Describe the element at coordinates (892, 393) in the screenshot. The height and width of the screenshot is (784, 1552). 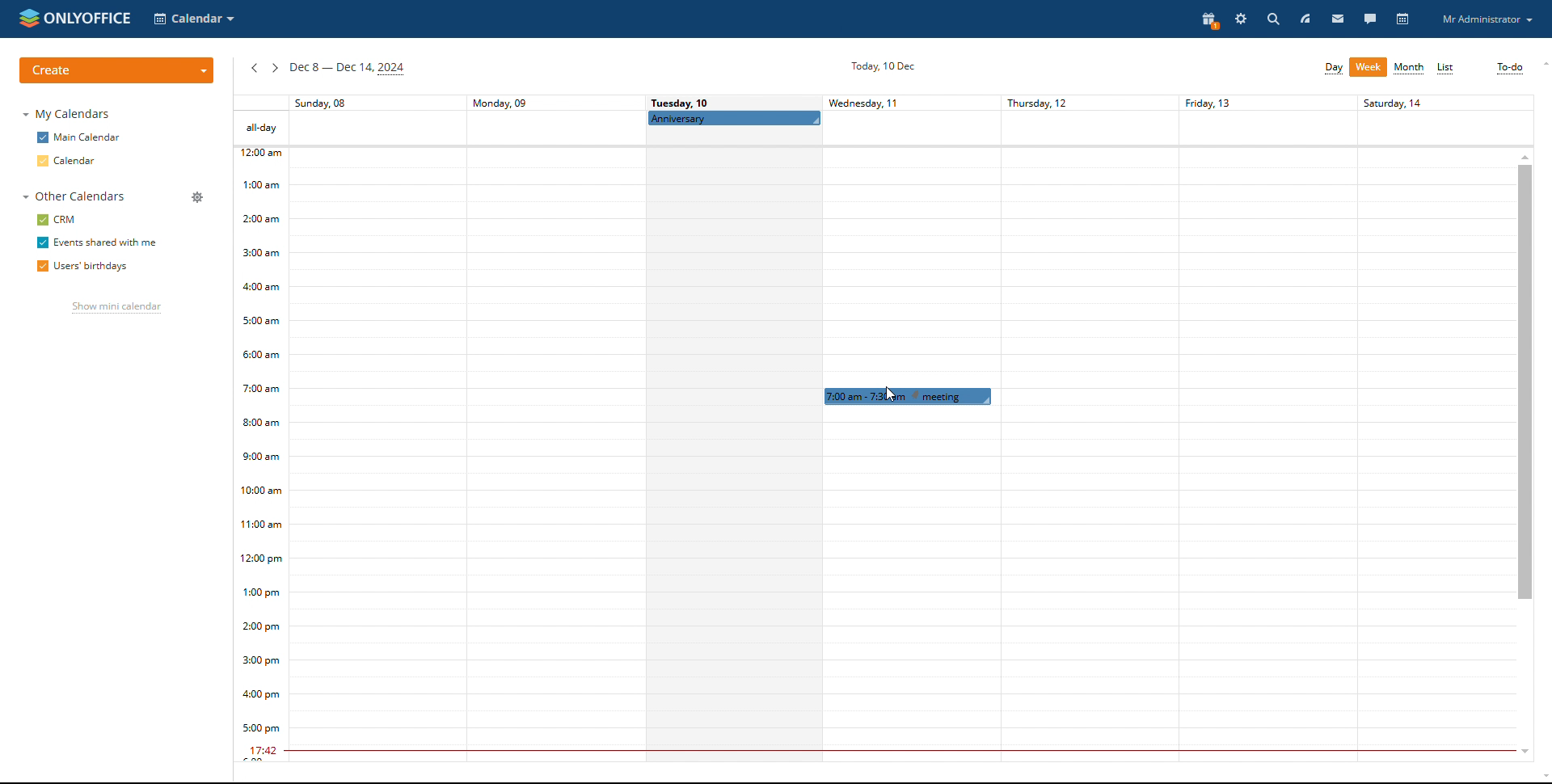
I see `cursor` at that location.